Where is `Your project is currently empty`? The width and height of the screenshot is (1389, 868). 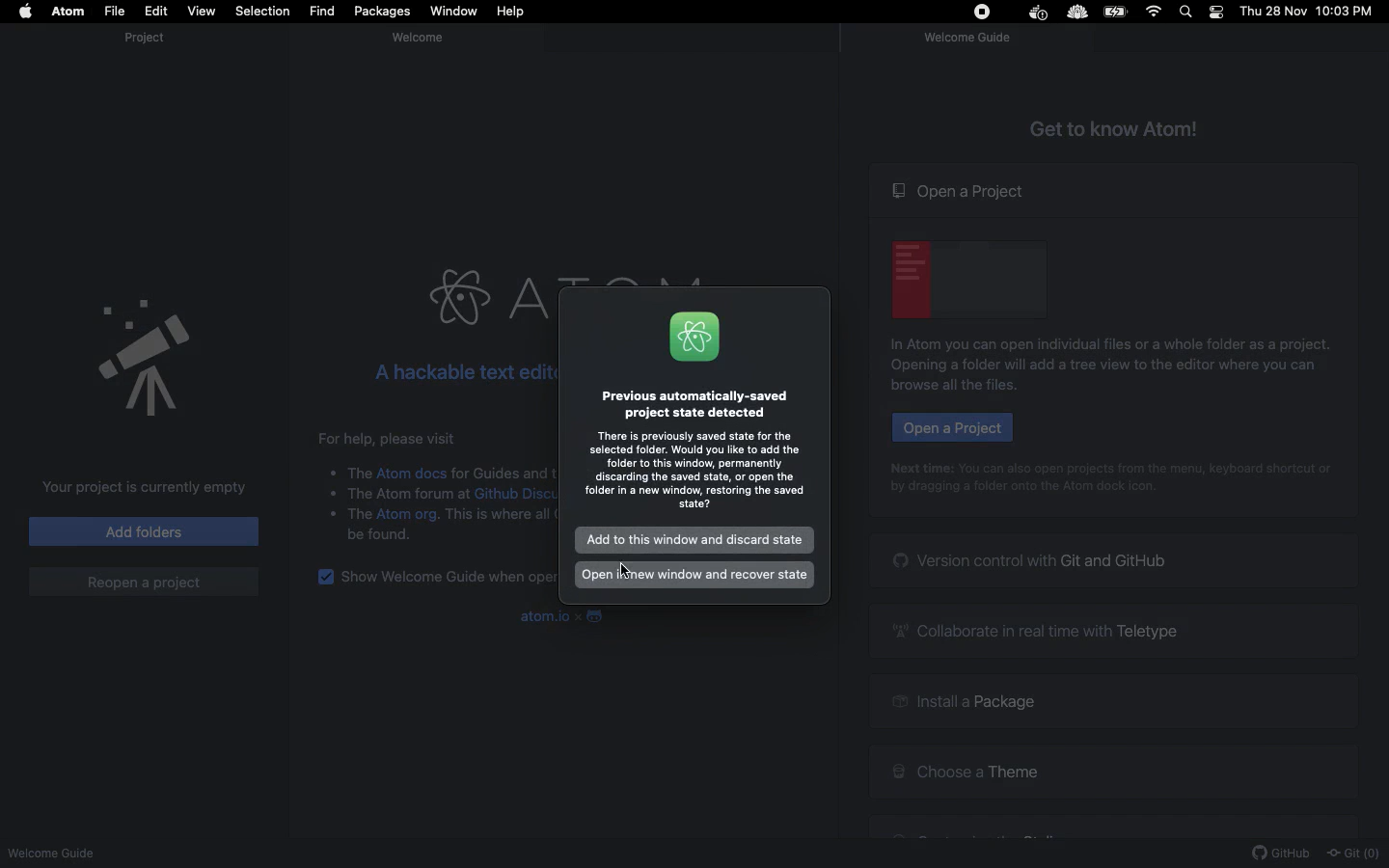
Your project is currently empty is located at coordinates (139, 487).